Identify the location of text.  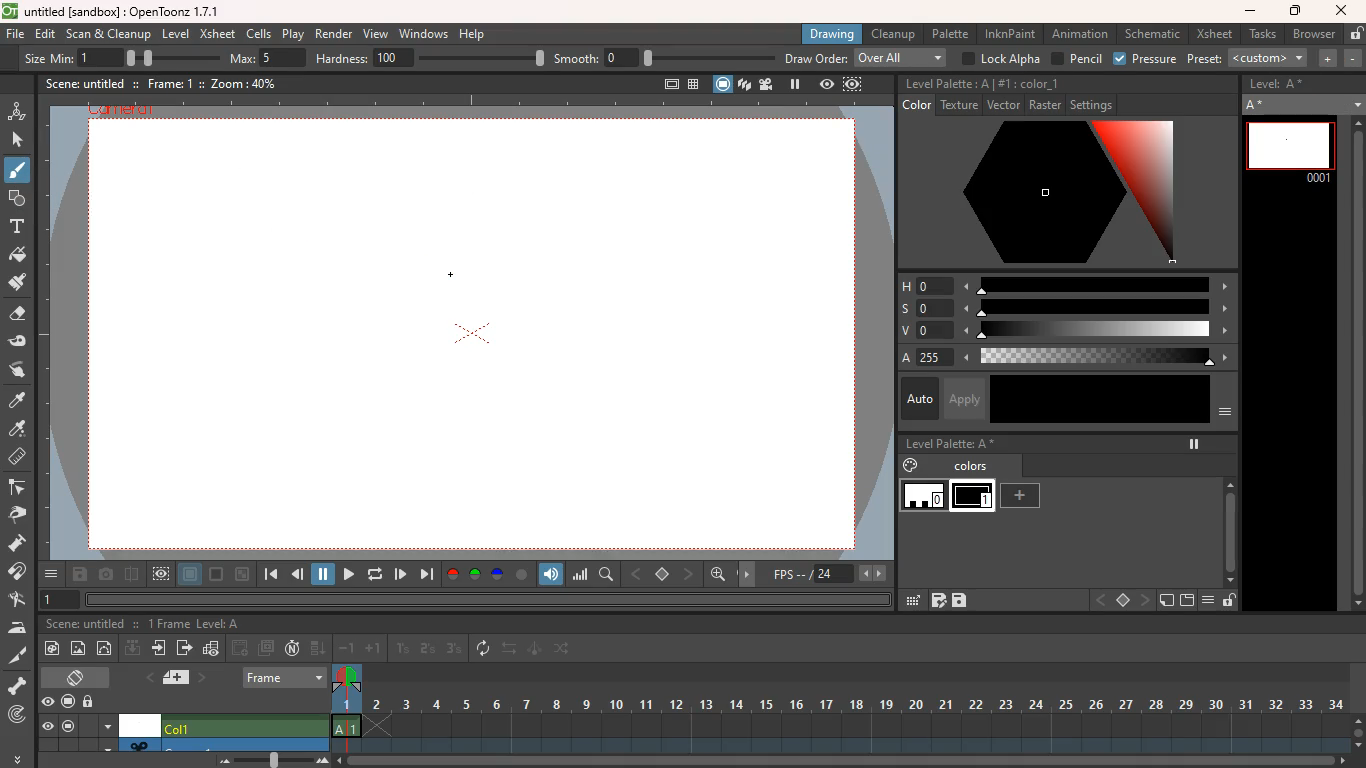
(17, 228).